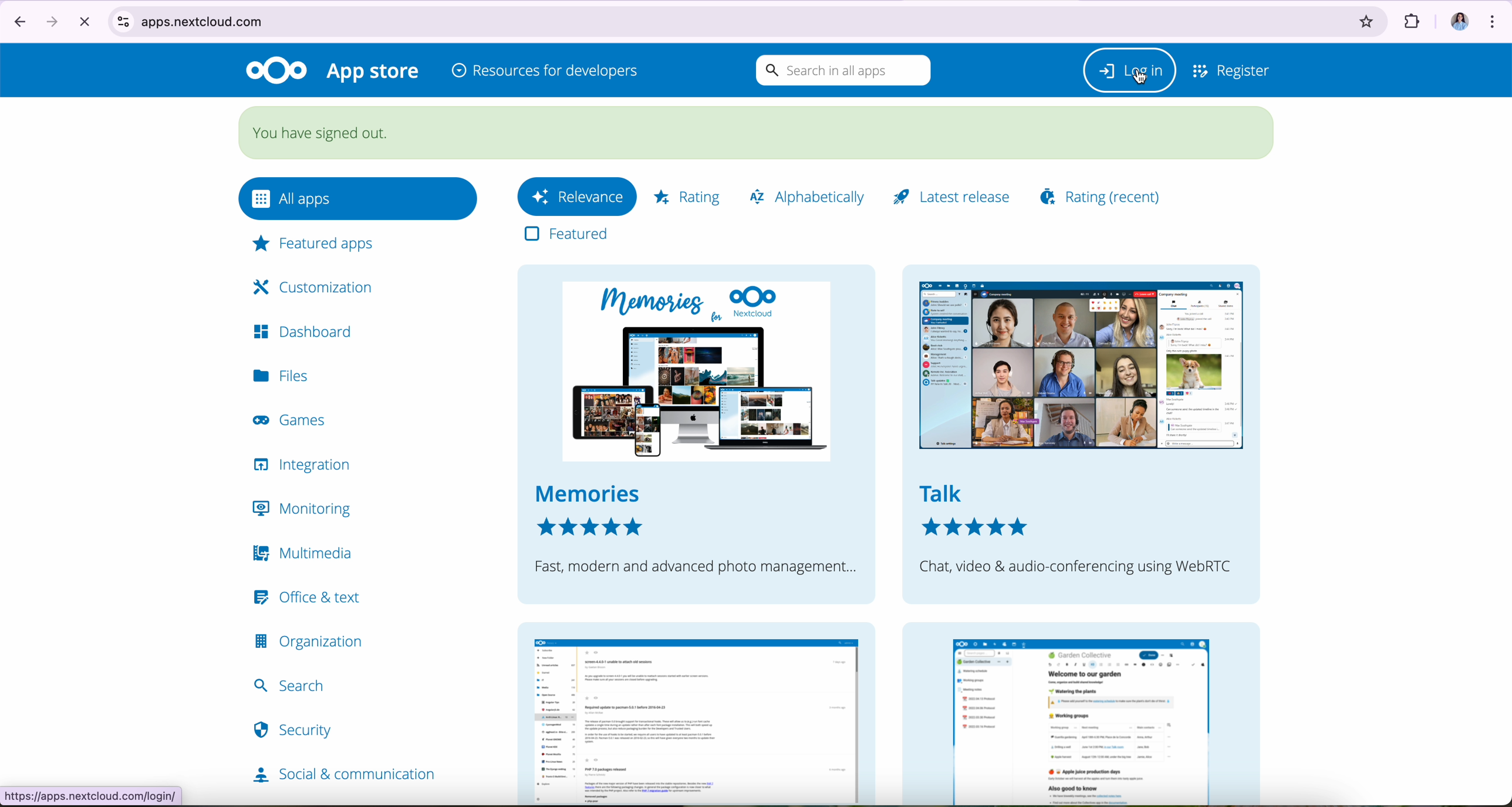 This screenshot has width=1512, height=807. What do you see at coordinates (84, 20) in the screenshot?
I see `cancel` at bounding box center [84, 20].